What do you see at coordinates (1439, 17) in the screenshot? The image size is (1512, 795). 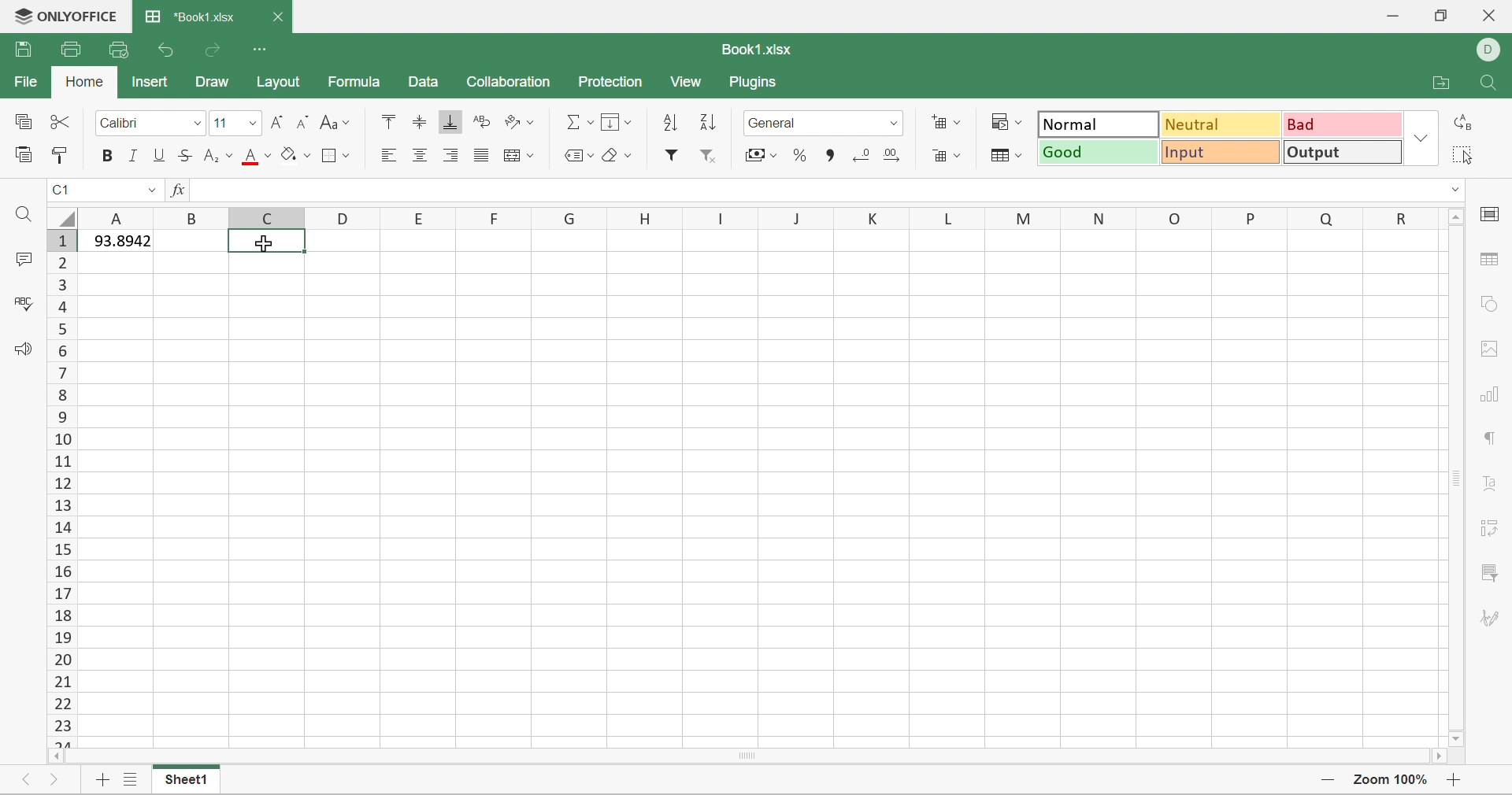 I see `Restore Down` at bounding box center [1439, 17].